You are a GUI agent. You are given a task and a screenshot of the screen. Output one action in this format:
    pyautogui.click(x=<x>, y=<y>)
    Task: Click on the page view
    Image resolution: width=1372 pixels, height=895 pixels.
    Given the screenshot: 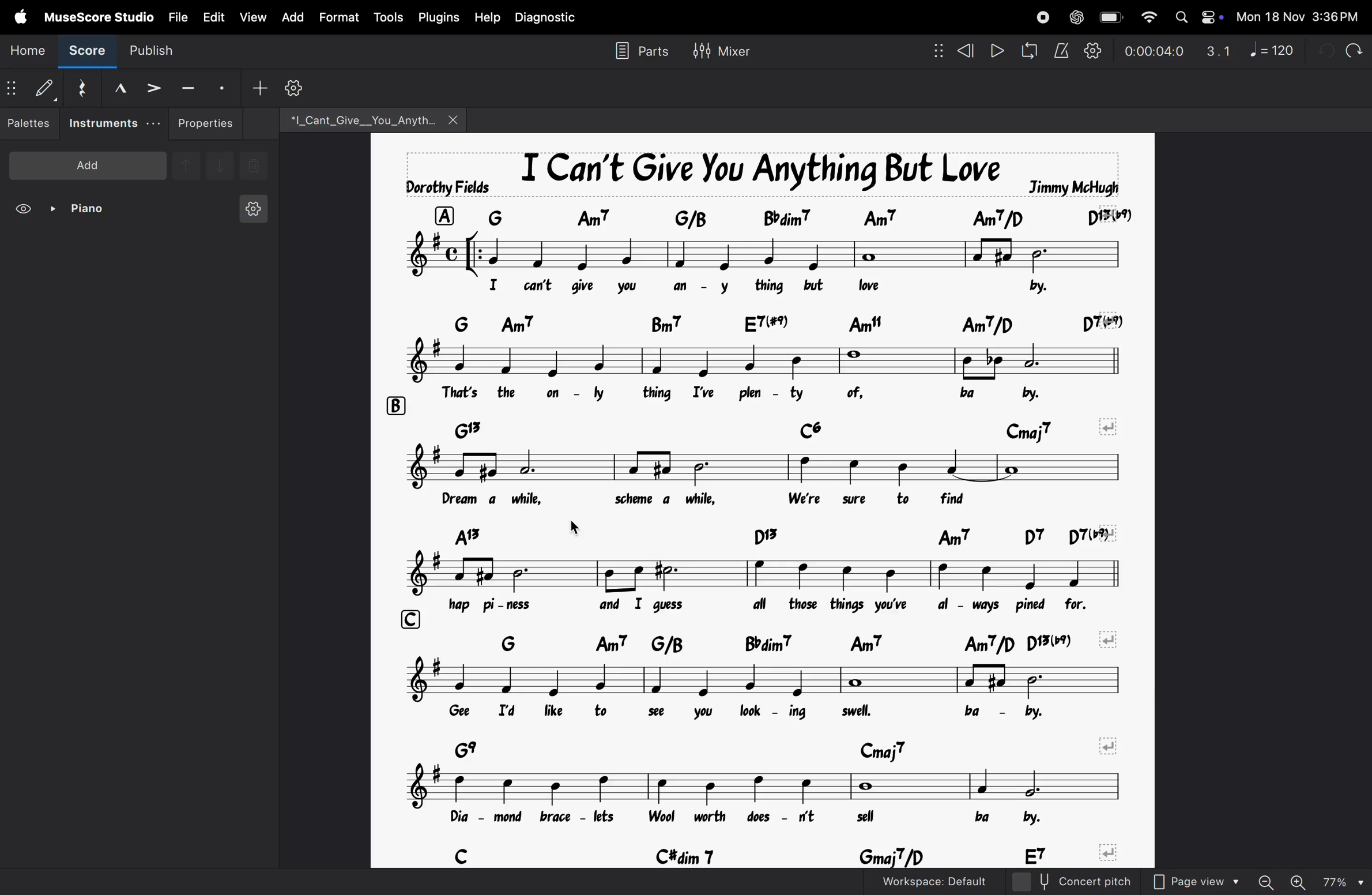 What is the action you would take?
    pyautogui.click(x=1195, y=881)
    